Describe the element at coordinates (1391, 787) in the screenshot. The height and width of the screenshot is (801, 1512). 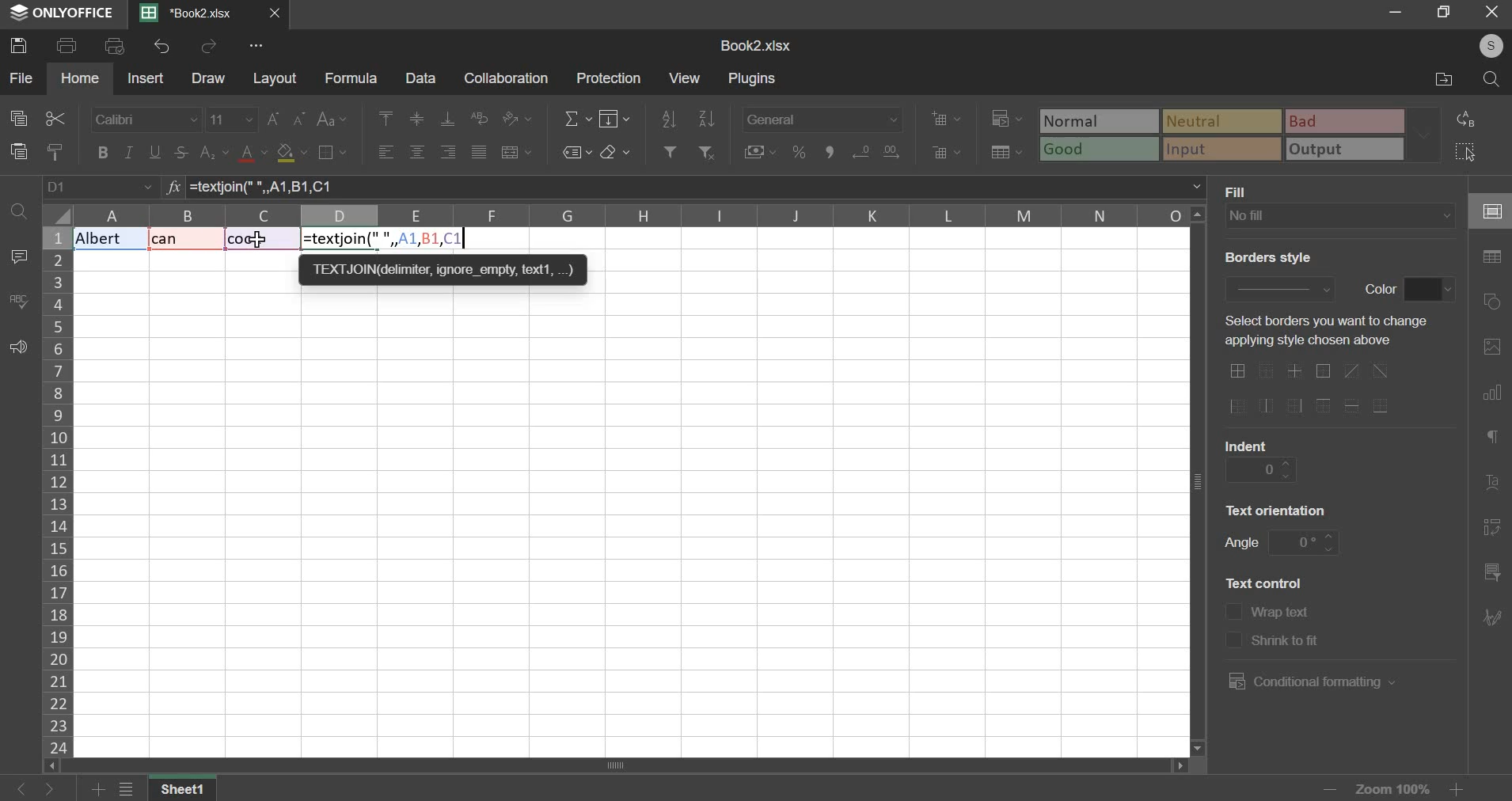
I see `zoom` at that location.